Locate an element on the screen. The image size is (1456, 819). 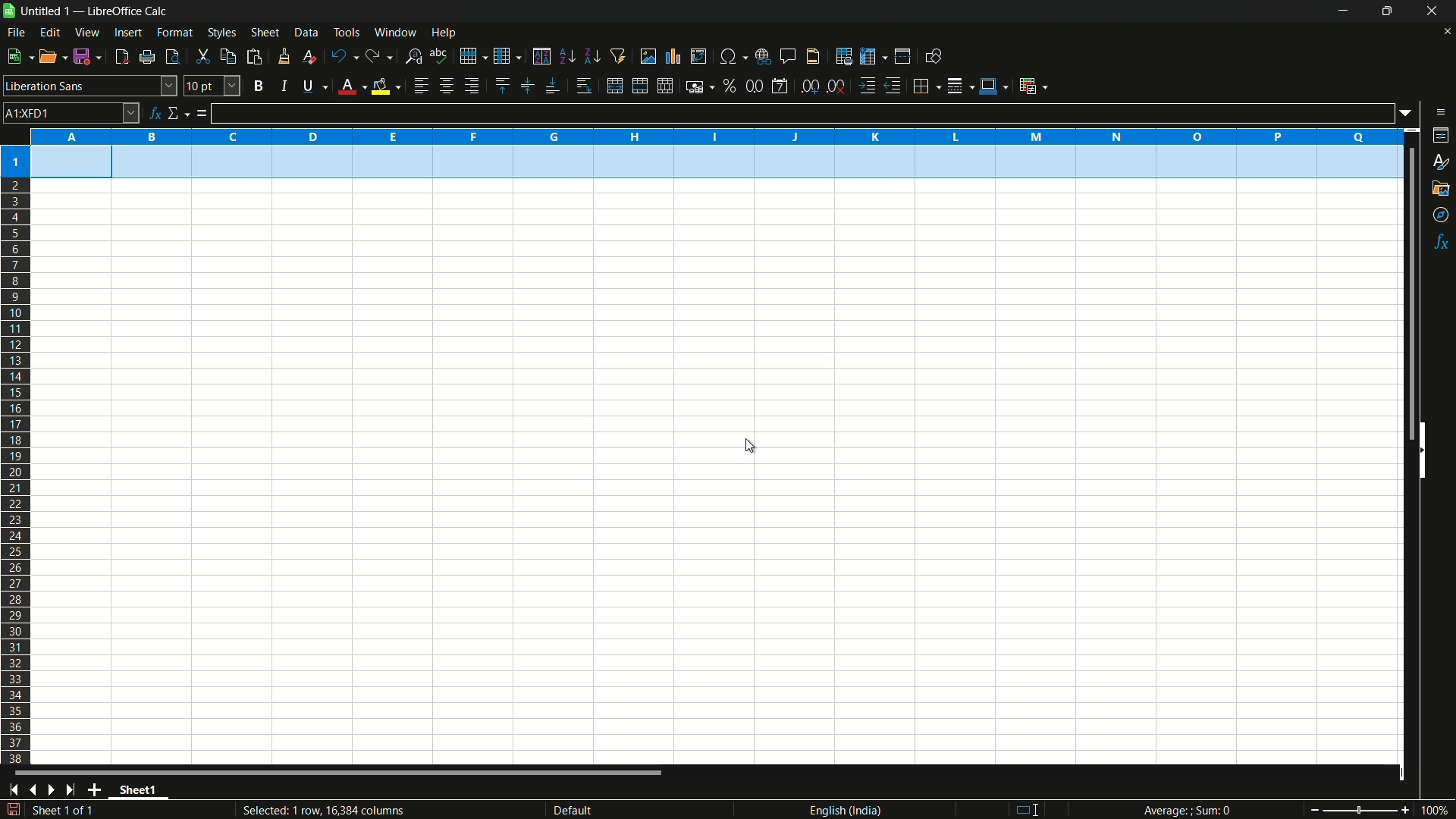
navigator is located at coordinates (1442, 215).